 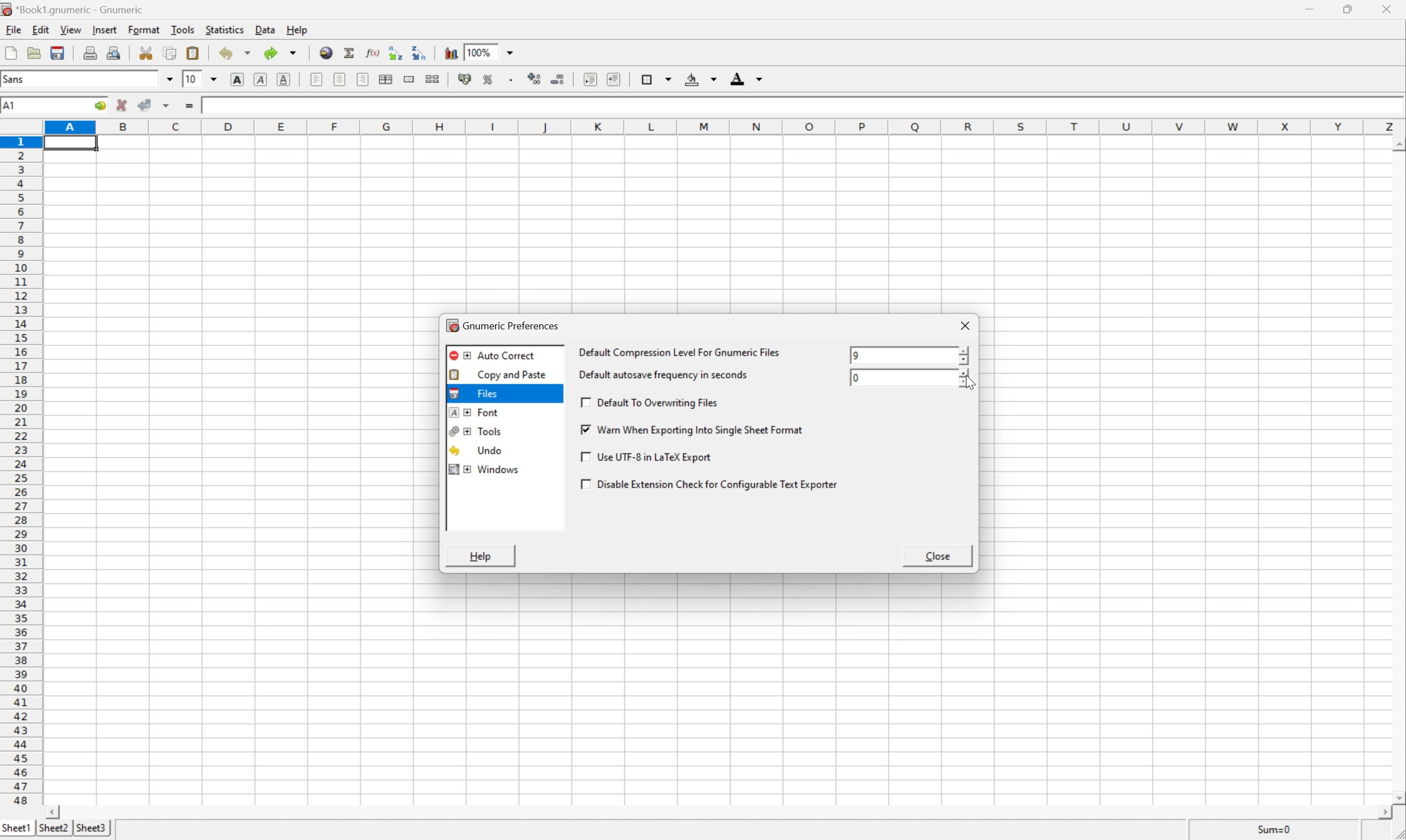 What do you see at coordinates (1397, 143) in the screenshot?
I see `scroll up` at bounding box center [1397, 143].